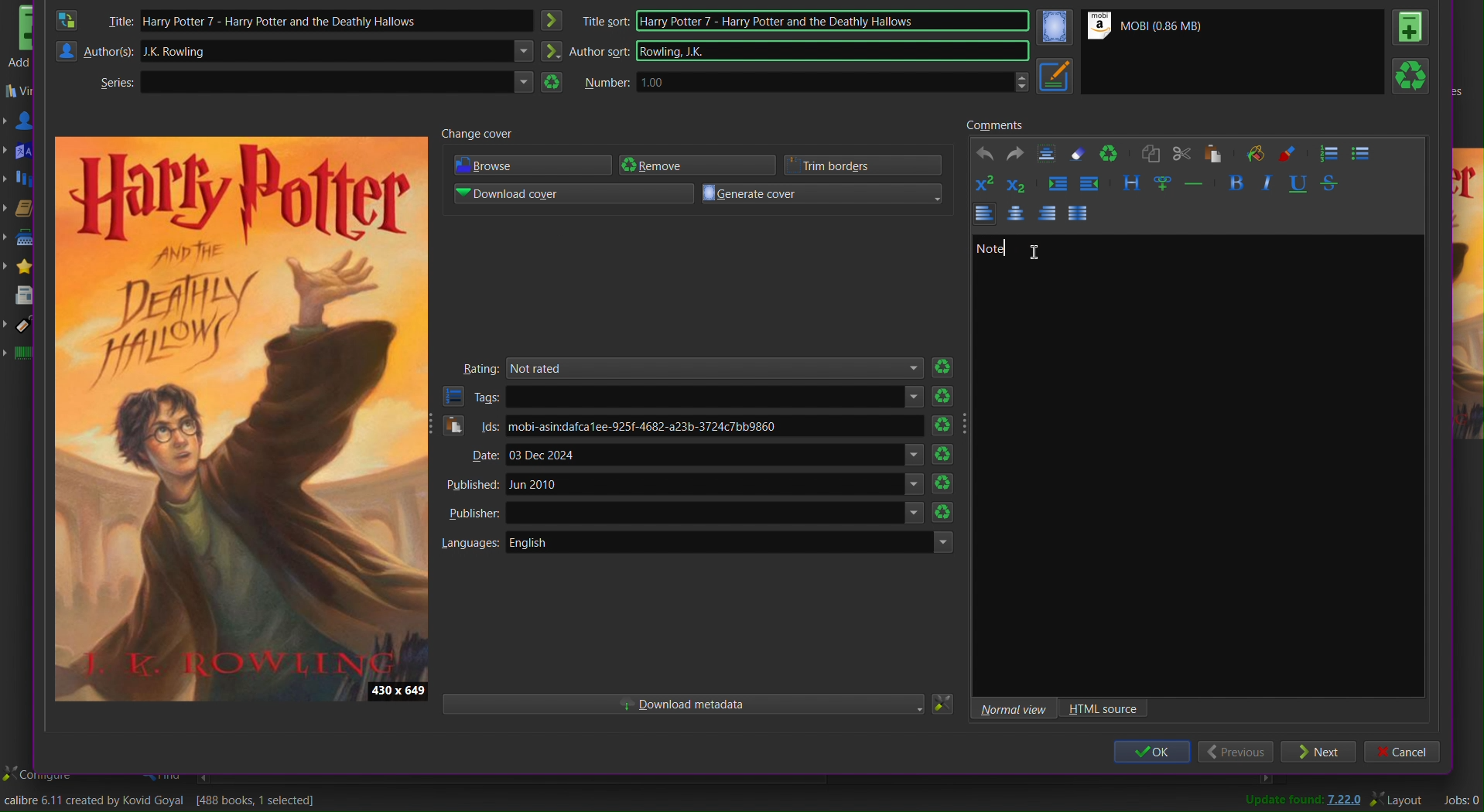  Describe the element at coordinates (947, 455) in the screenshot. I see `Refresh` at that location.